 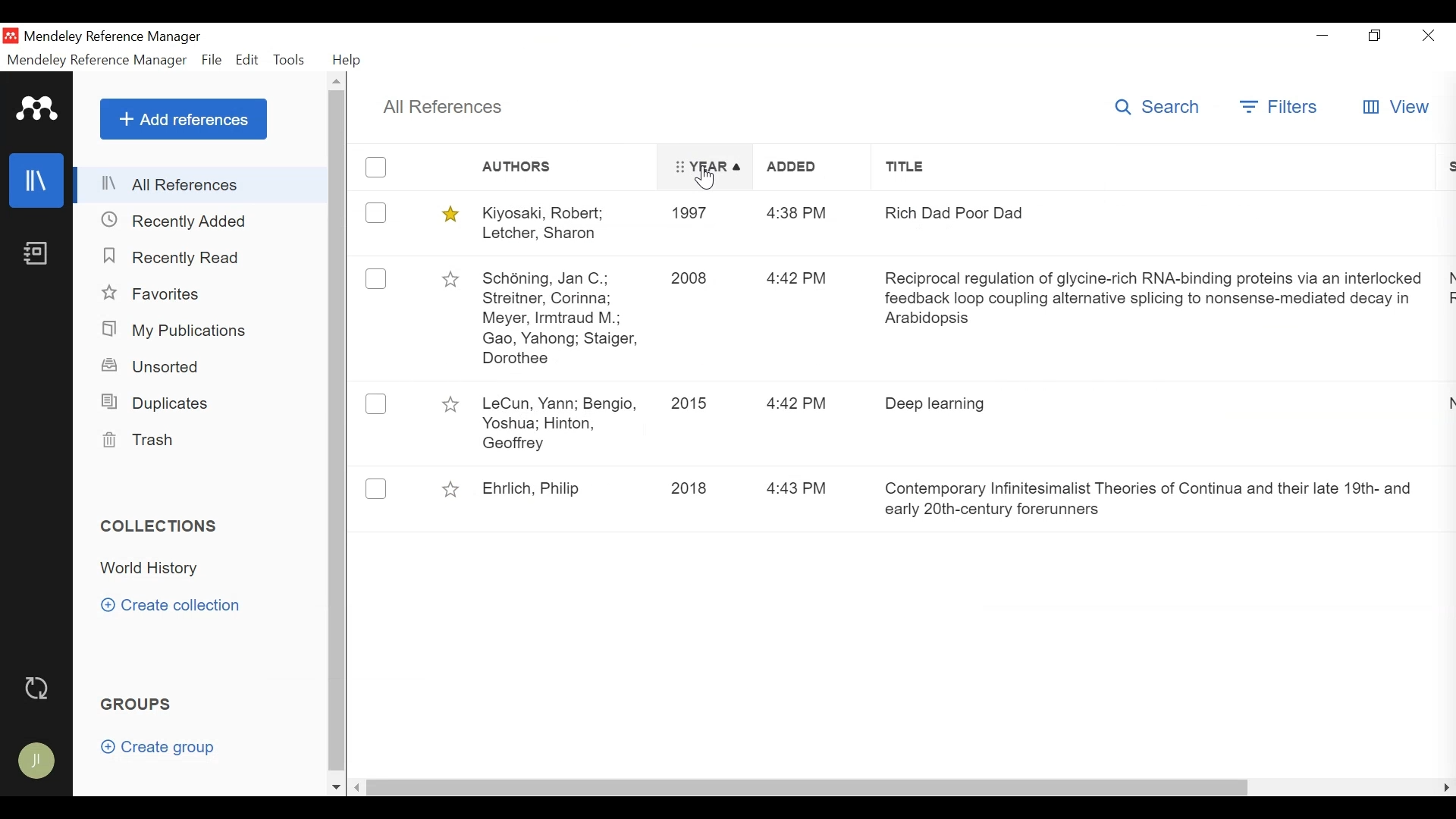 I want to click on (un)Select Favorites, so click(x=453, y=279).